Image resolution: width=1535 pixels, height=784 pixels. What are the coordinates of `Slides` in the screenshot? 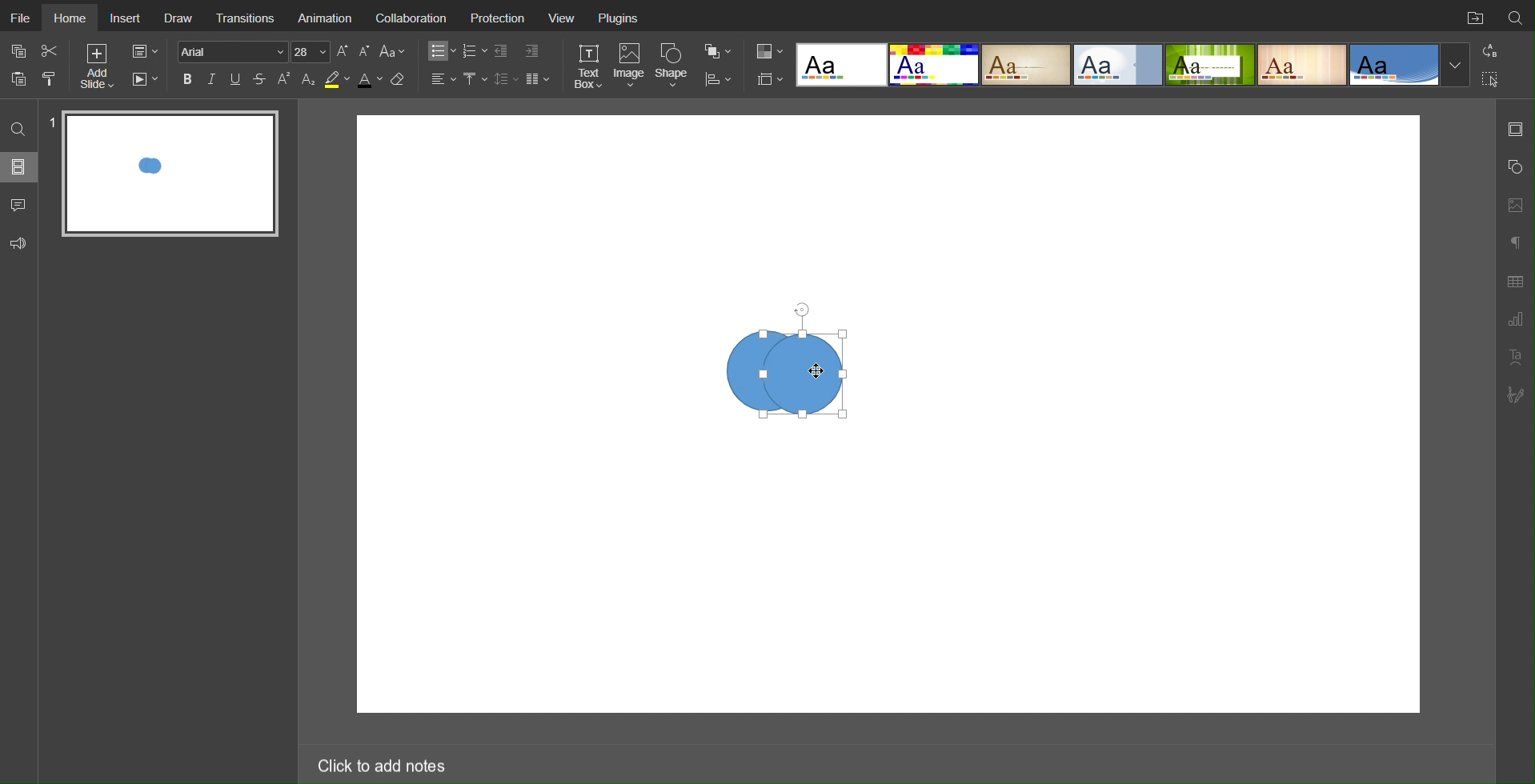 It's located at (20, 166).